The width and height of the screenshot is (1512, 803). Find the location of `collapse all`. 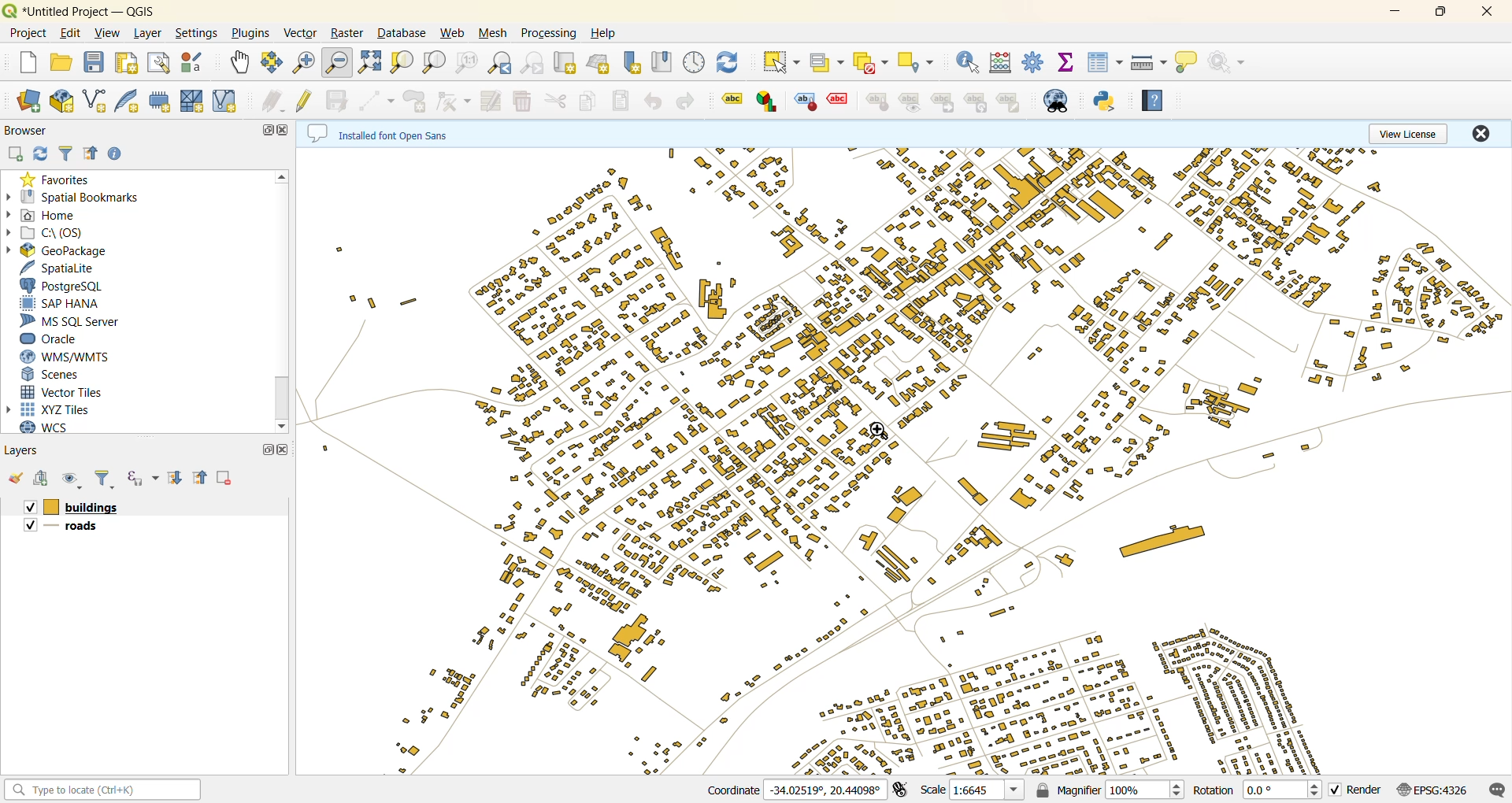

collapse all is located at coordinates (198, 479).